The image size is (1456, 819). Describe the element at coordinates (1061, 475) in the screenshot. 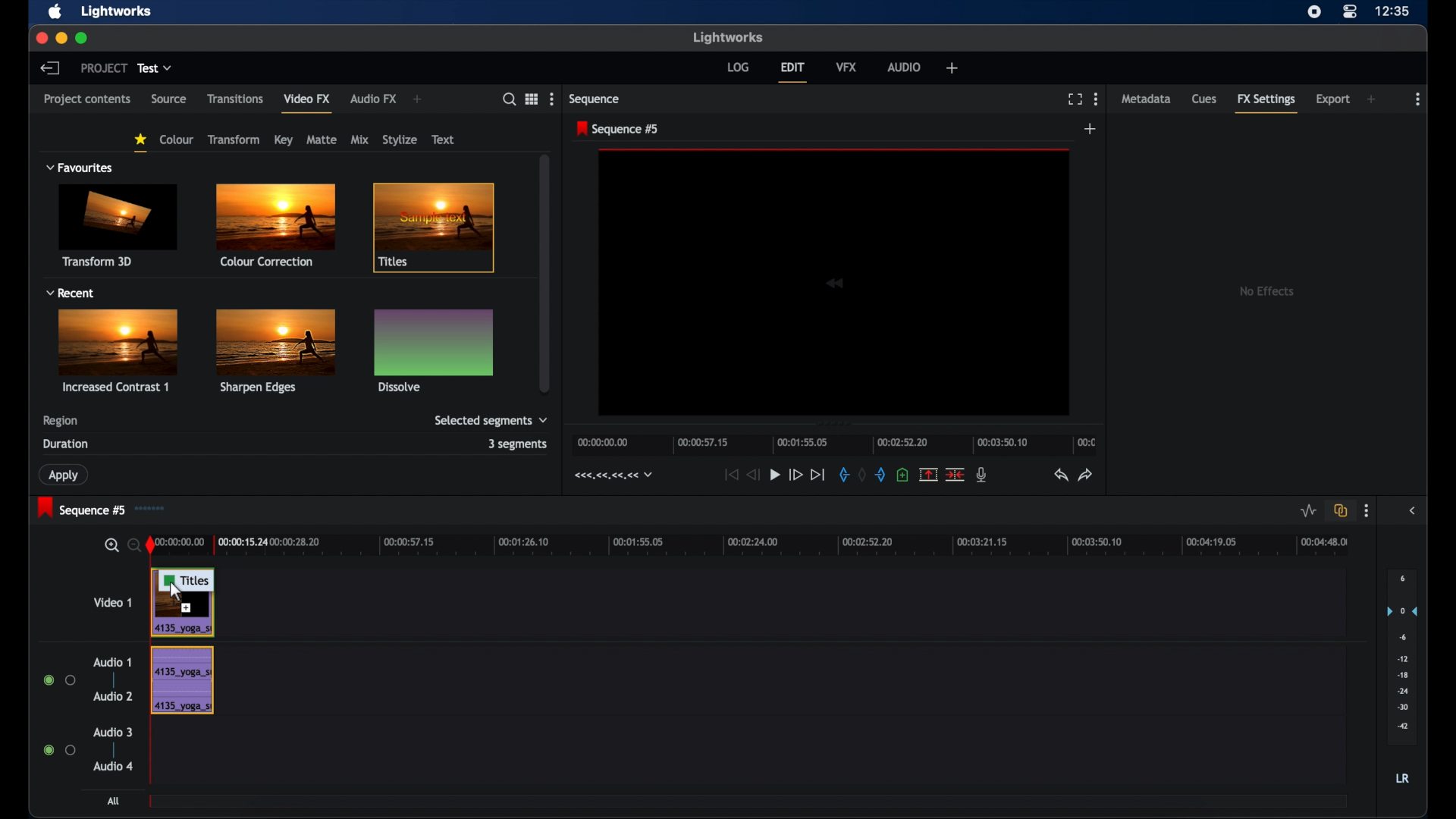

I see `undo` at that location.